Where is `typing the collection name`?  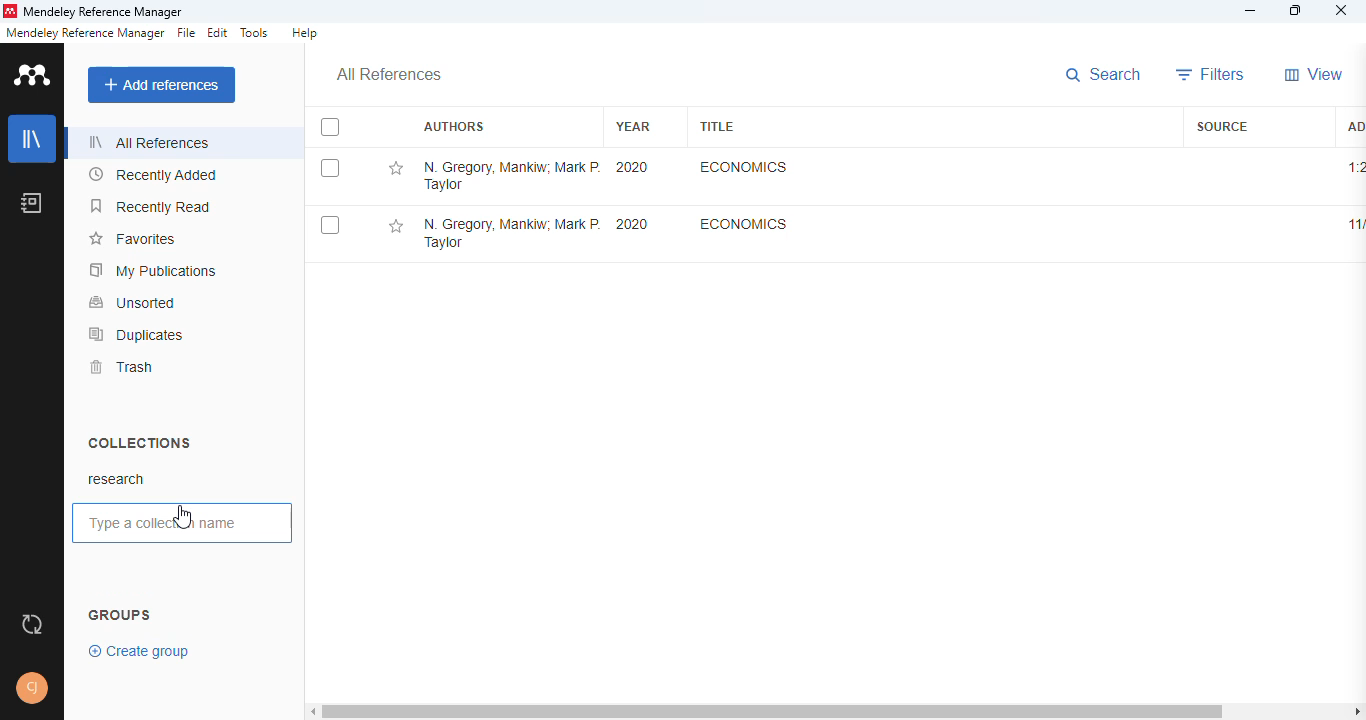
typing the collection name is located at coordinates (184, 524).